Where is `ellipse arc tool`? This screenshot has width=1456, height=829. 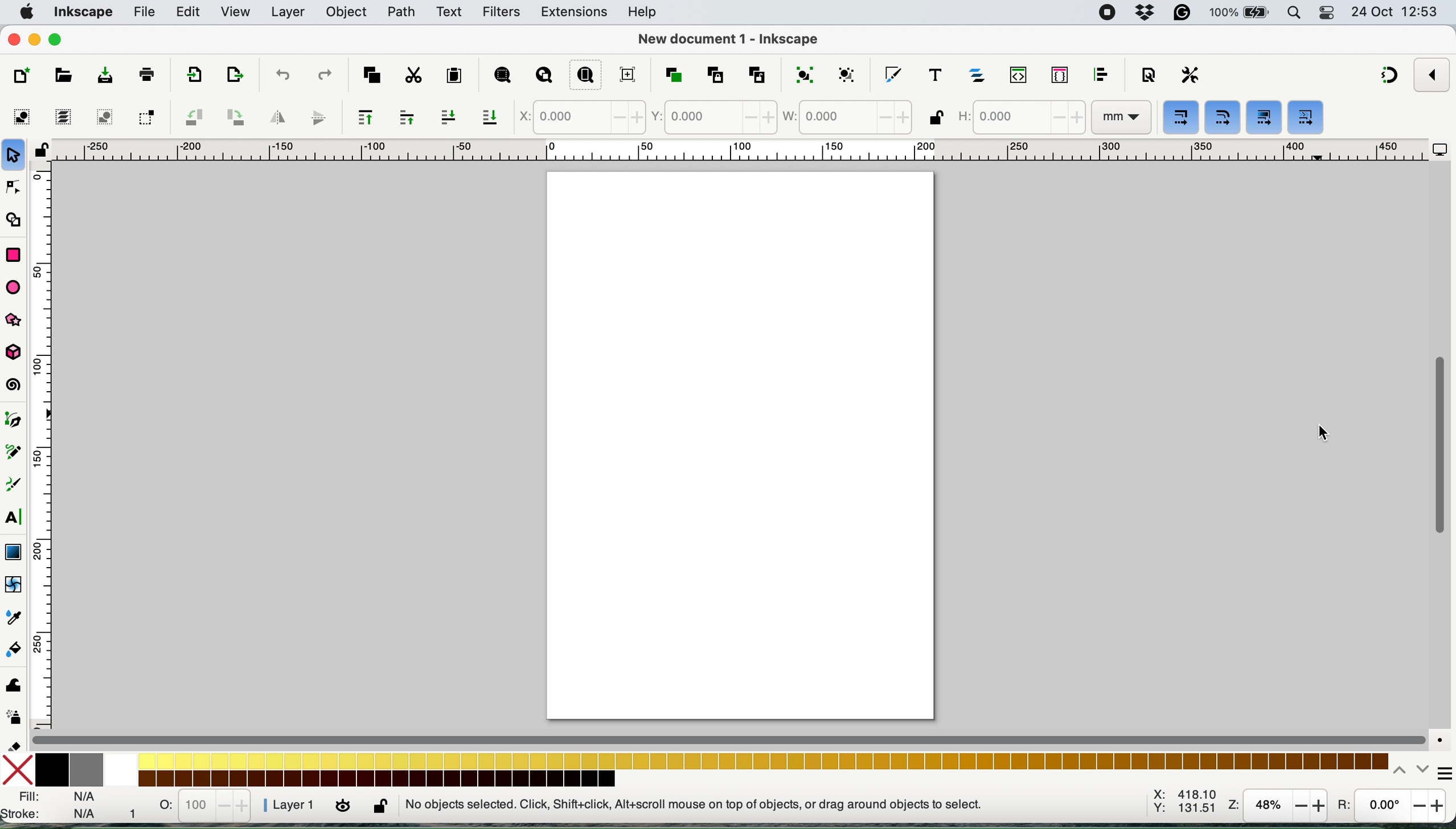
ellipse arc tool is located at coordinates (14, 287).